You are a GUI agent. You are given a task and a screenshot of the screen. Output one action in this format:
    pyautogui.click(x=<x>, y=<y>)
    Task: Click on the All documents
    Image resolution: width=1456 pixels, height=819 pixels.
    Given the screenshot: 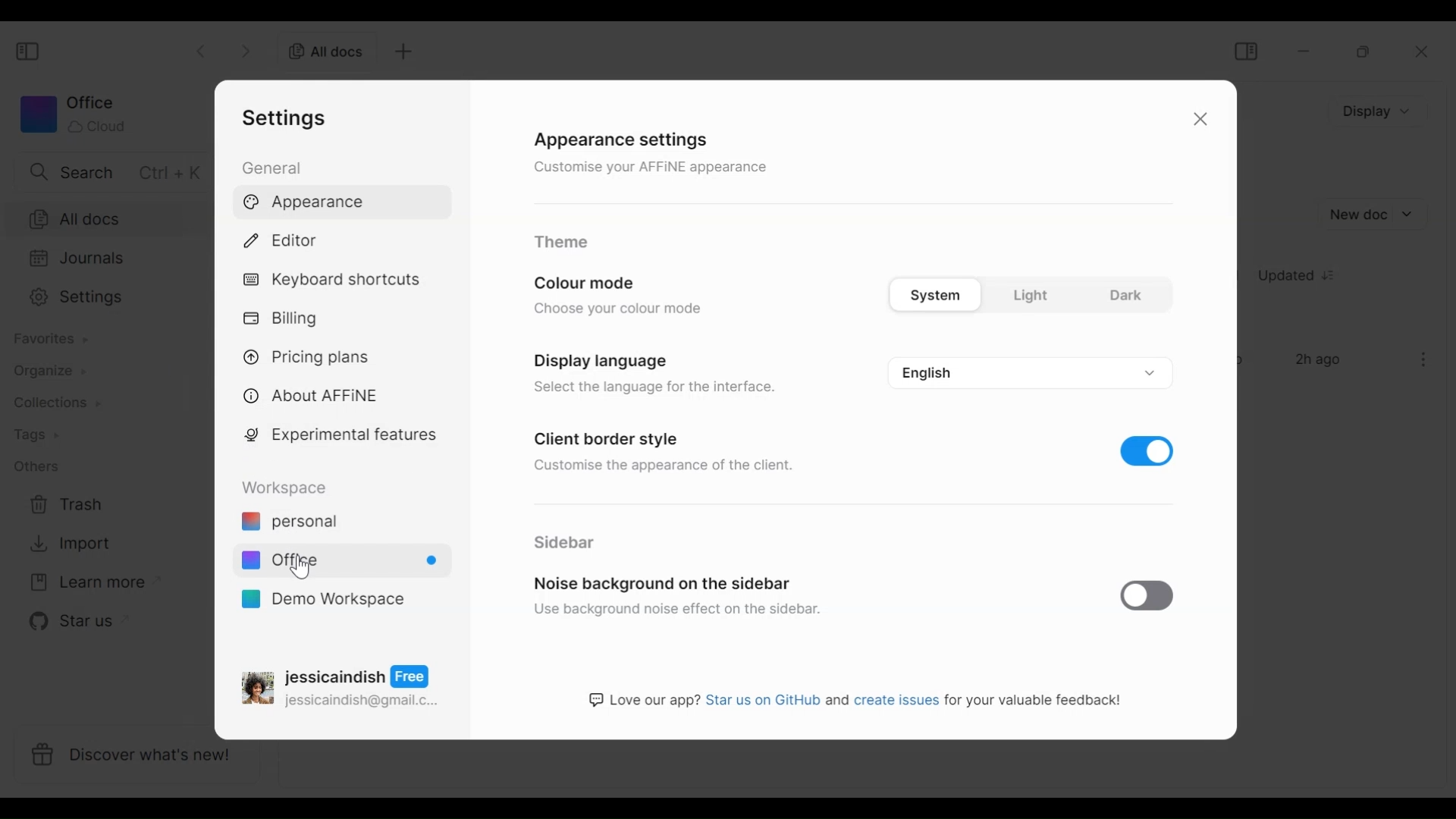 What is the action you would take?
    pyautogui.click(x=106, y=218)
    